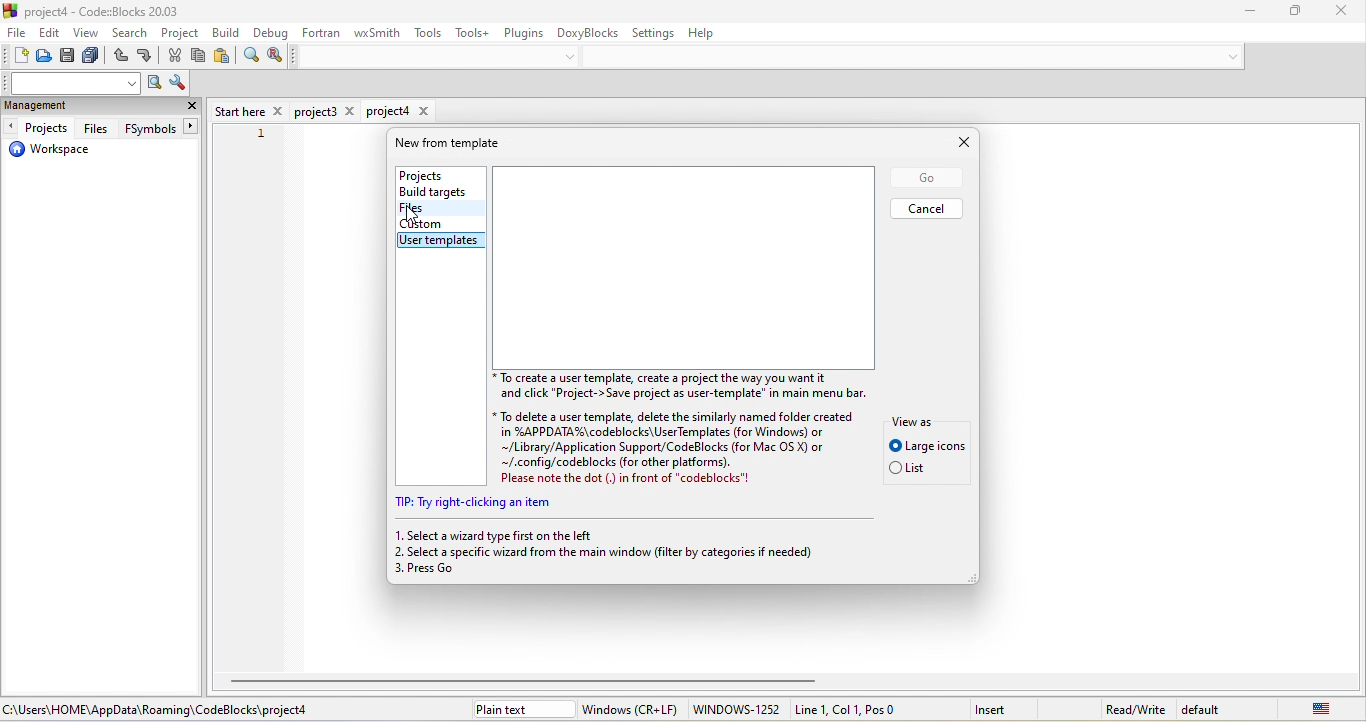 The height and width of the screenshot is (722, 1366). What do you see at coordinates (132, 35) in the screenshot?
I see `search` at bounding box center [132, 35].